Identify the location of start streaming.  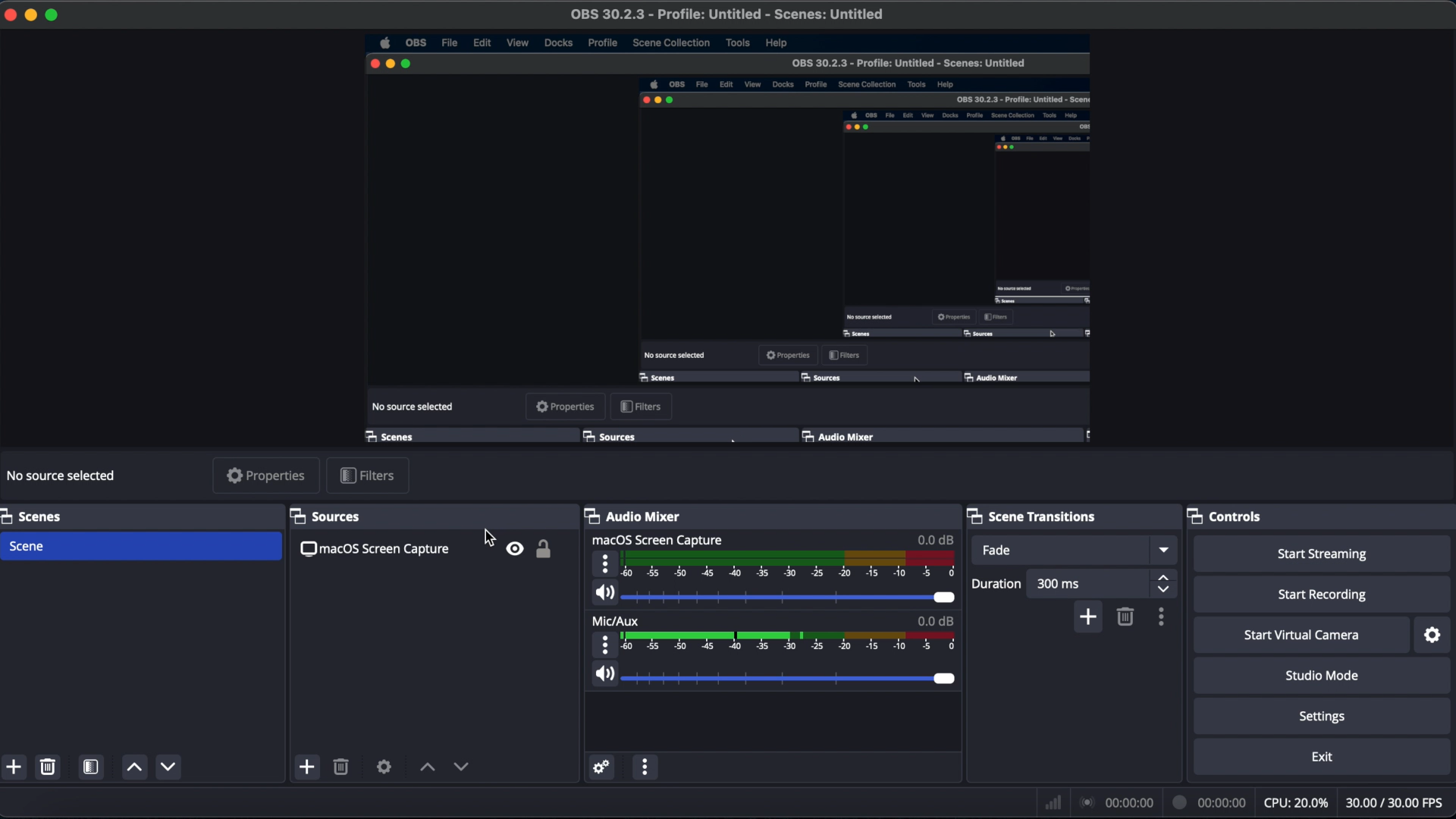
(1323, 554).